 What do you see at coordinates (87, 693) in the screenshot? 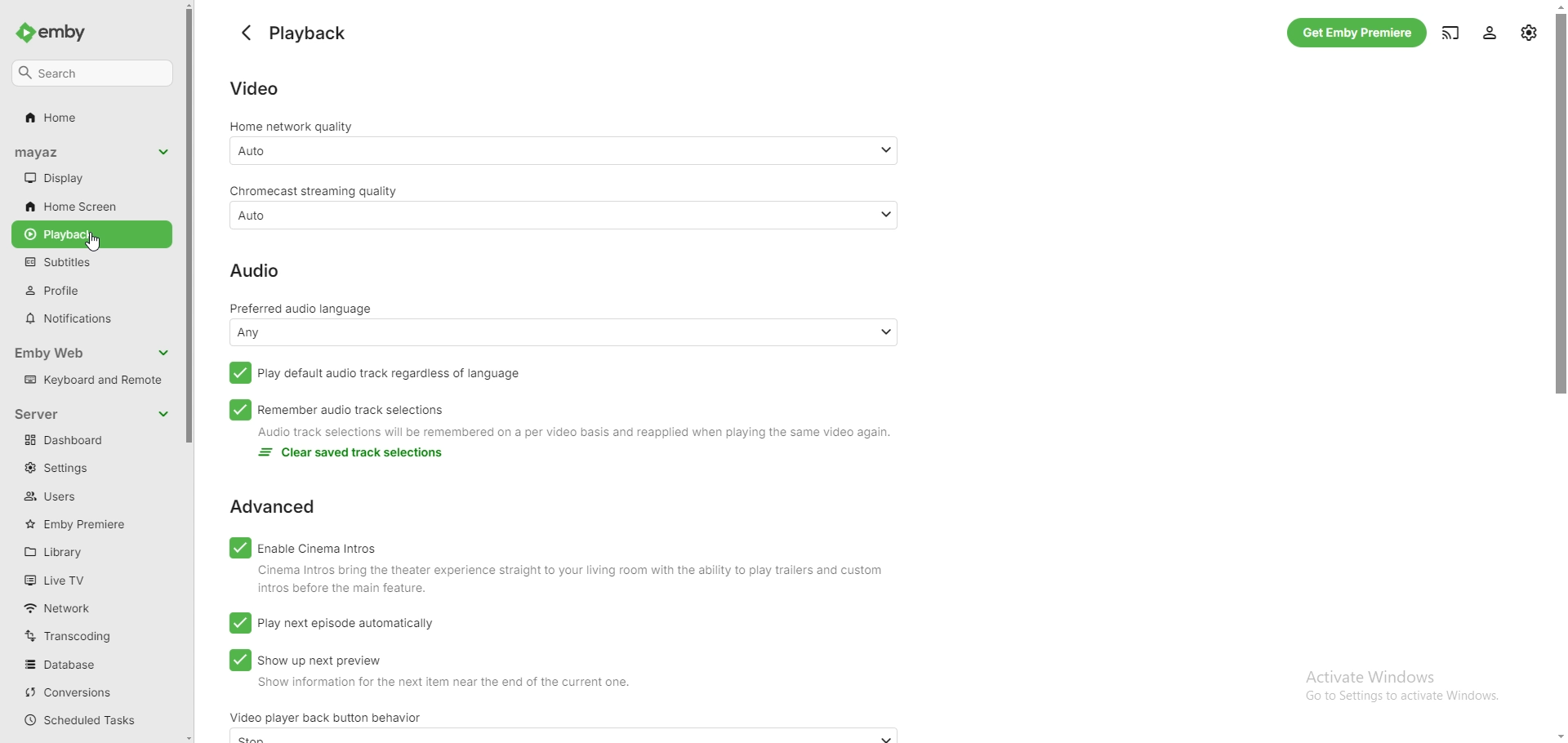
I see `conversions` at bounding box center [87, 693].